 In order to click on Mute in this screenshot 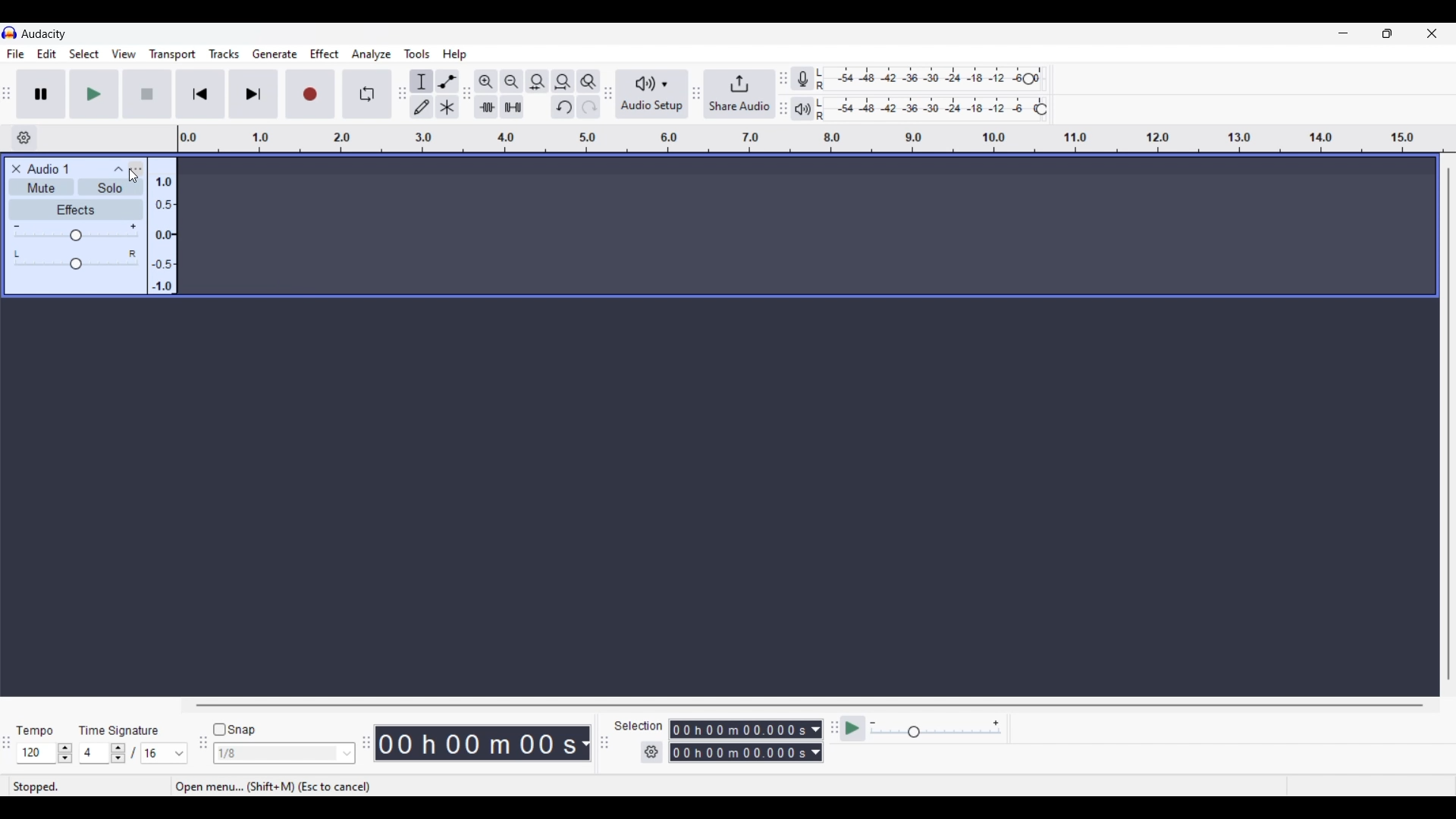, I will do `click(39, 190)`.